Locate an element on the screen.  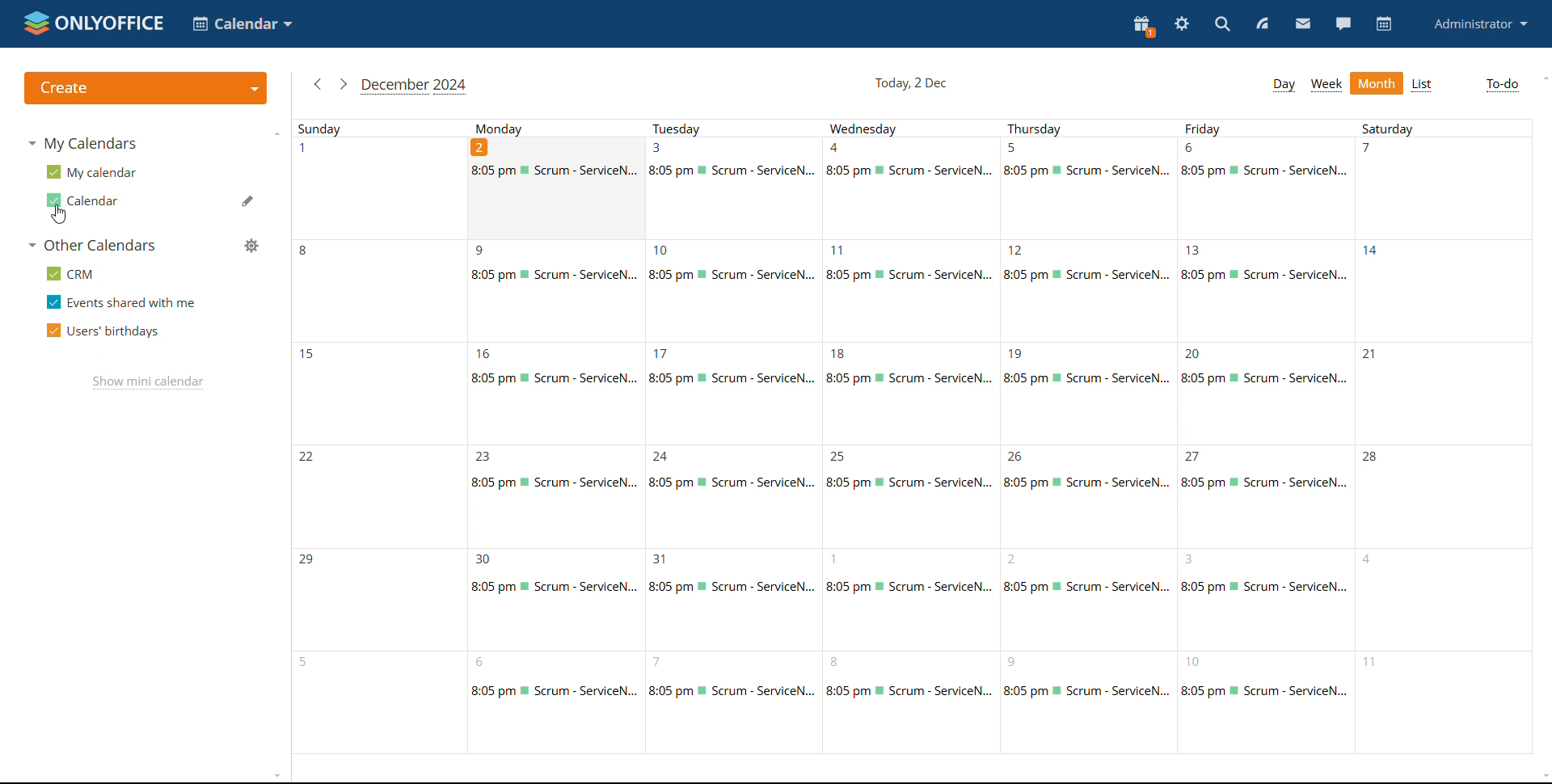
friday is located at coordinates (1263, 129).